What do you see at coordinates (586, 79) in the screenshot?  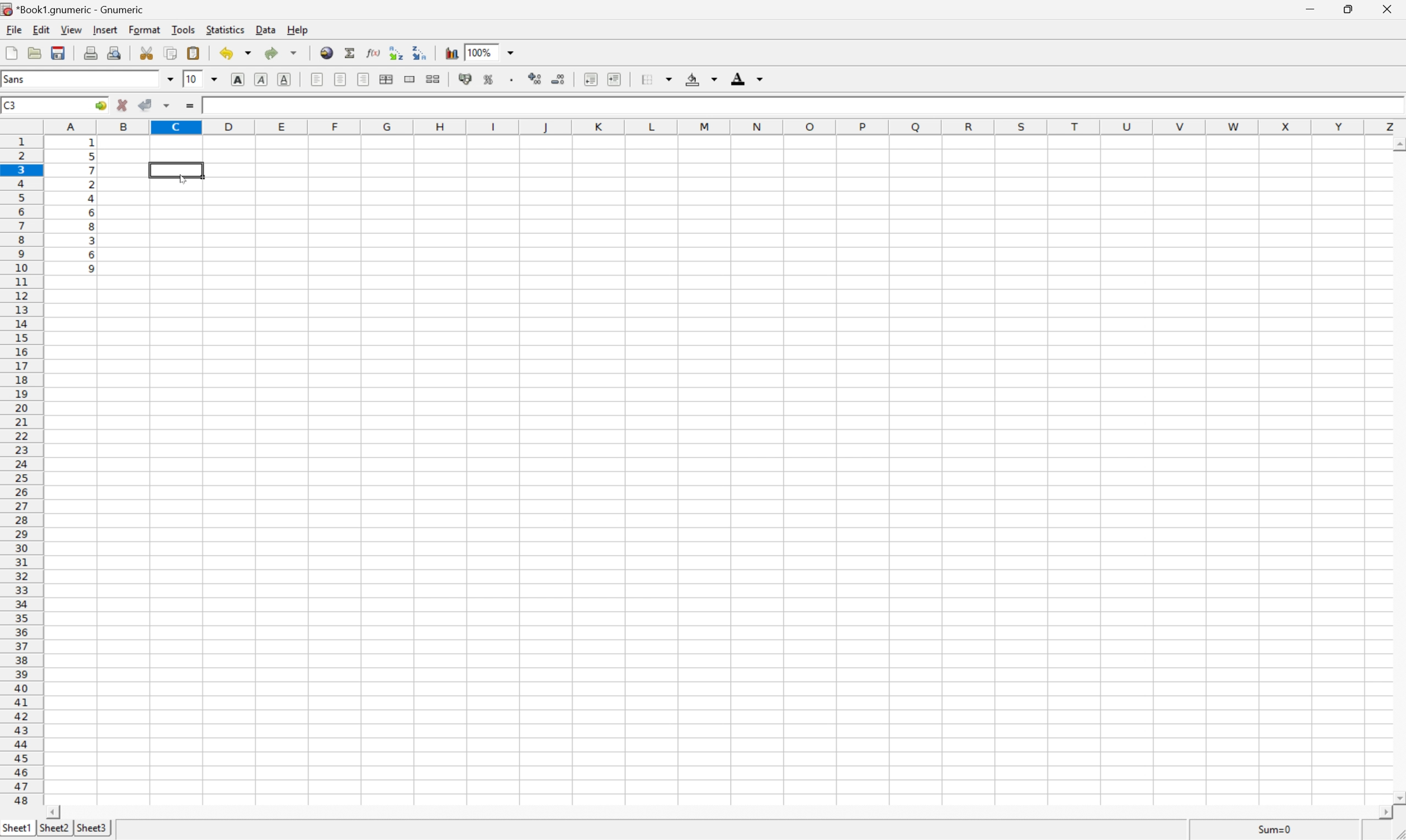 I see `decrease indent` at bounding box center [586, 79].